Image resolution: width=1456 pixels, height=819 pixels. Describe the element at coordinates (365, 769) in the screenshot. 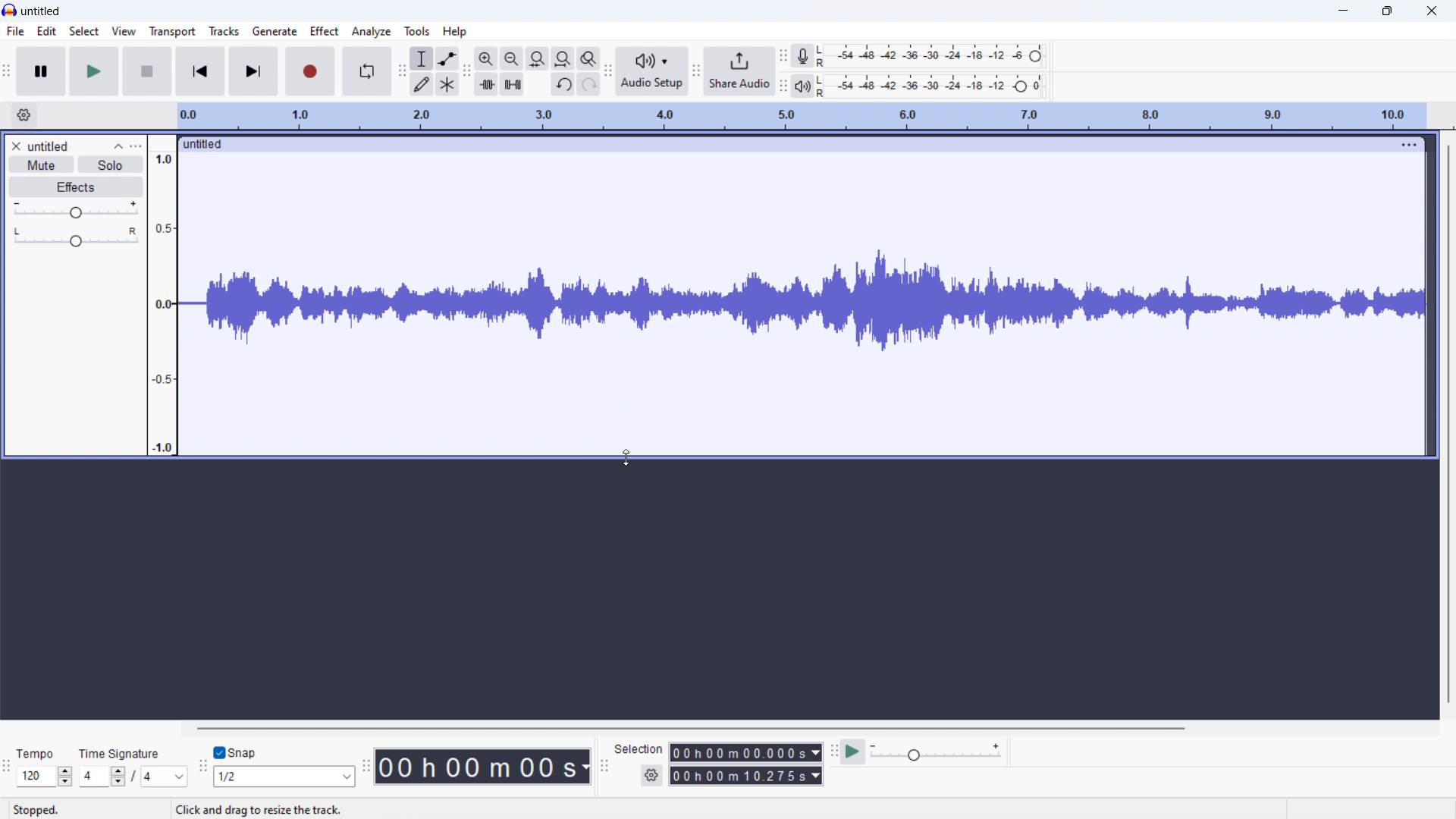

I see `time toolbar` at that location.